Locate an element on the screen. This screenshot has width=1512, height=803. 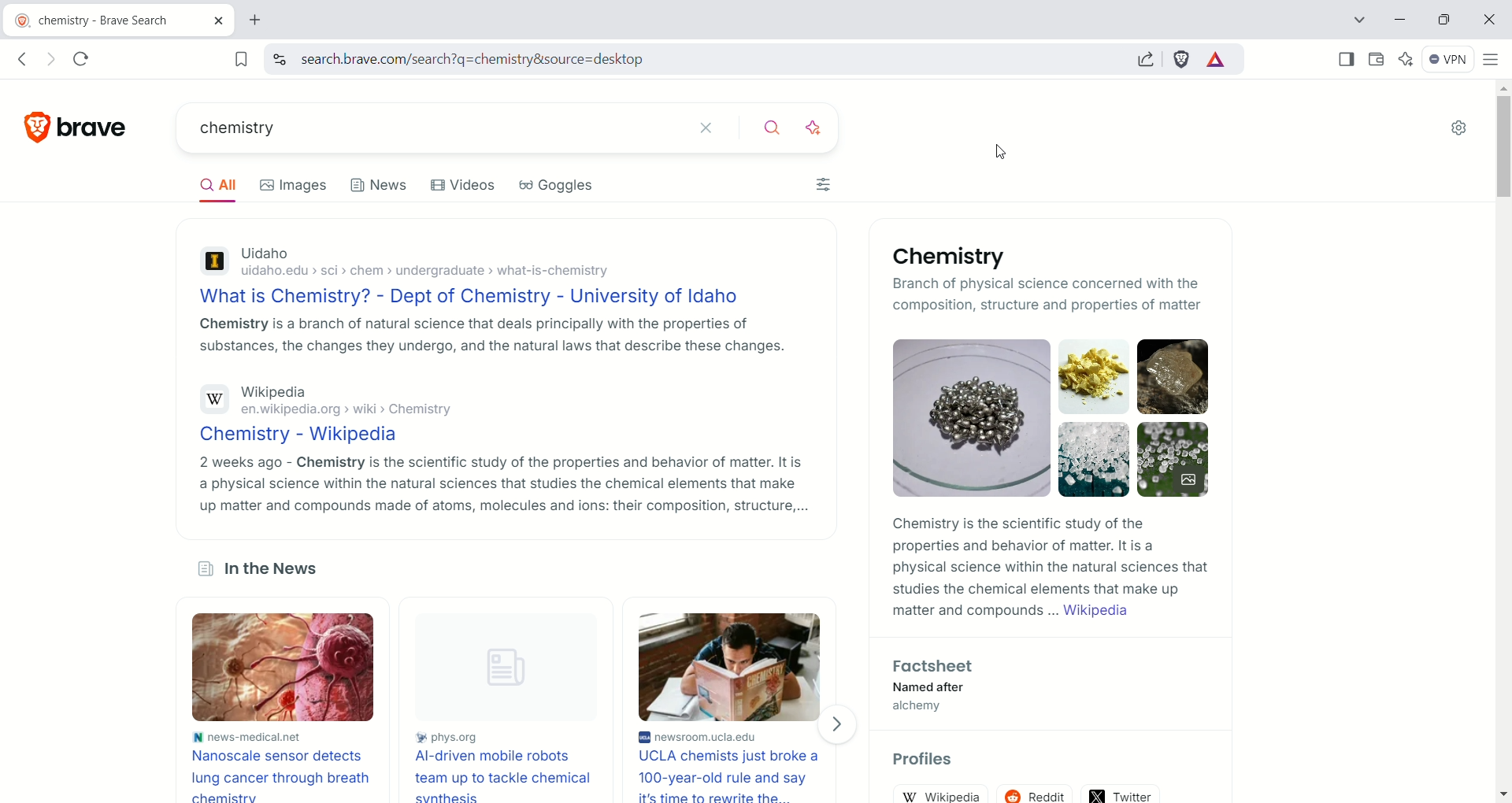
chemistry is located at coordinates (432, 126).